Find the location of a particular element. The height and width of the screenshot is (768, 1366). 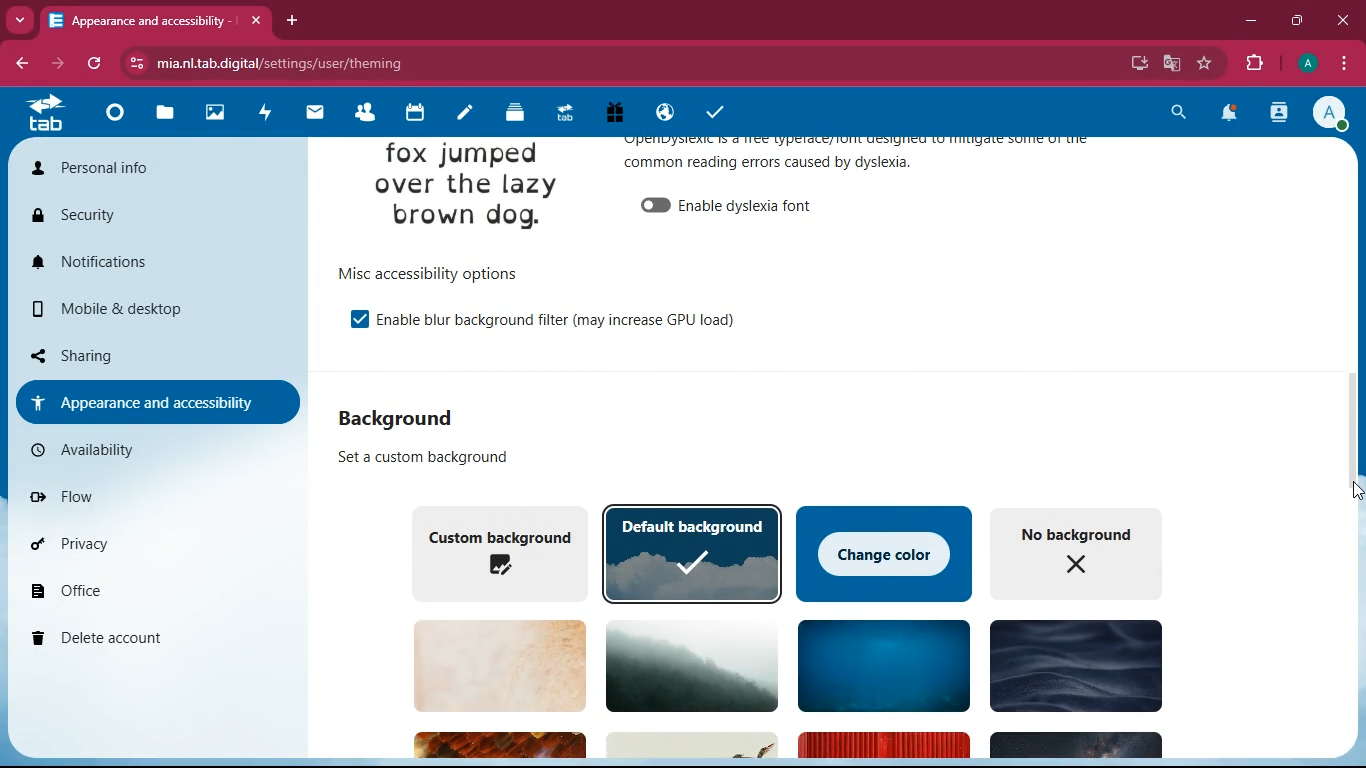

security is located at coordinates (153, 218).